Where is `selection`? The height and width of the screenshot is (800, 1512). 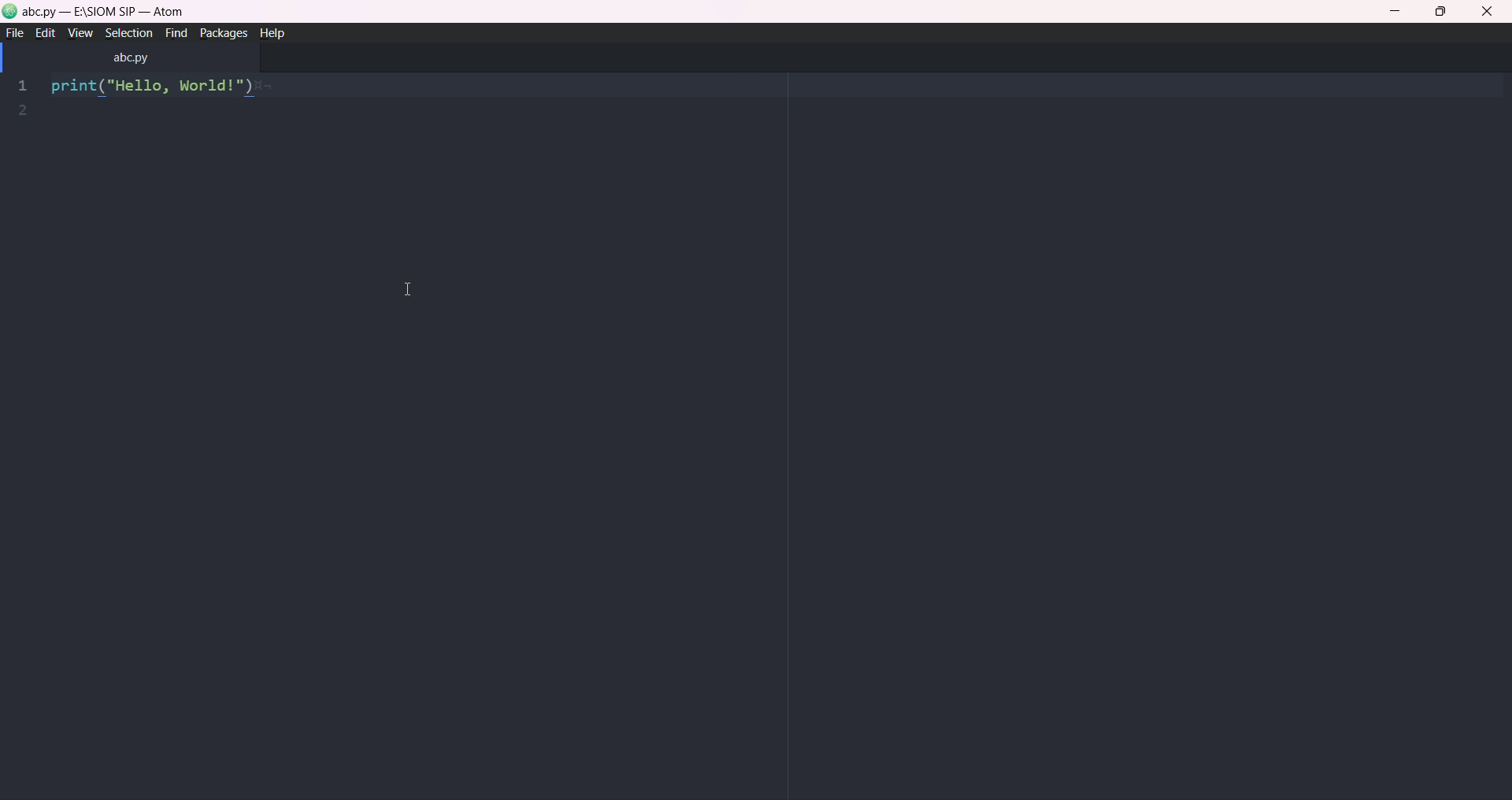 selection is located at coordinates (129, 35).